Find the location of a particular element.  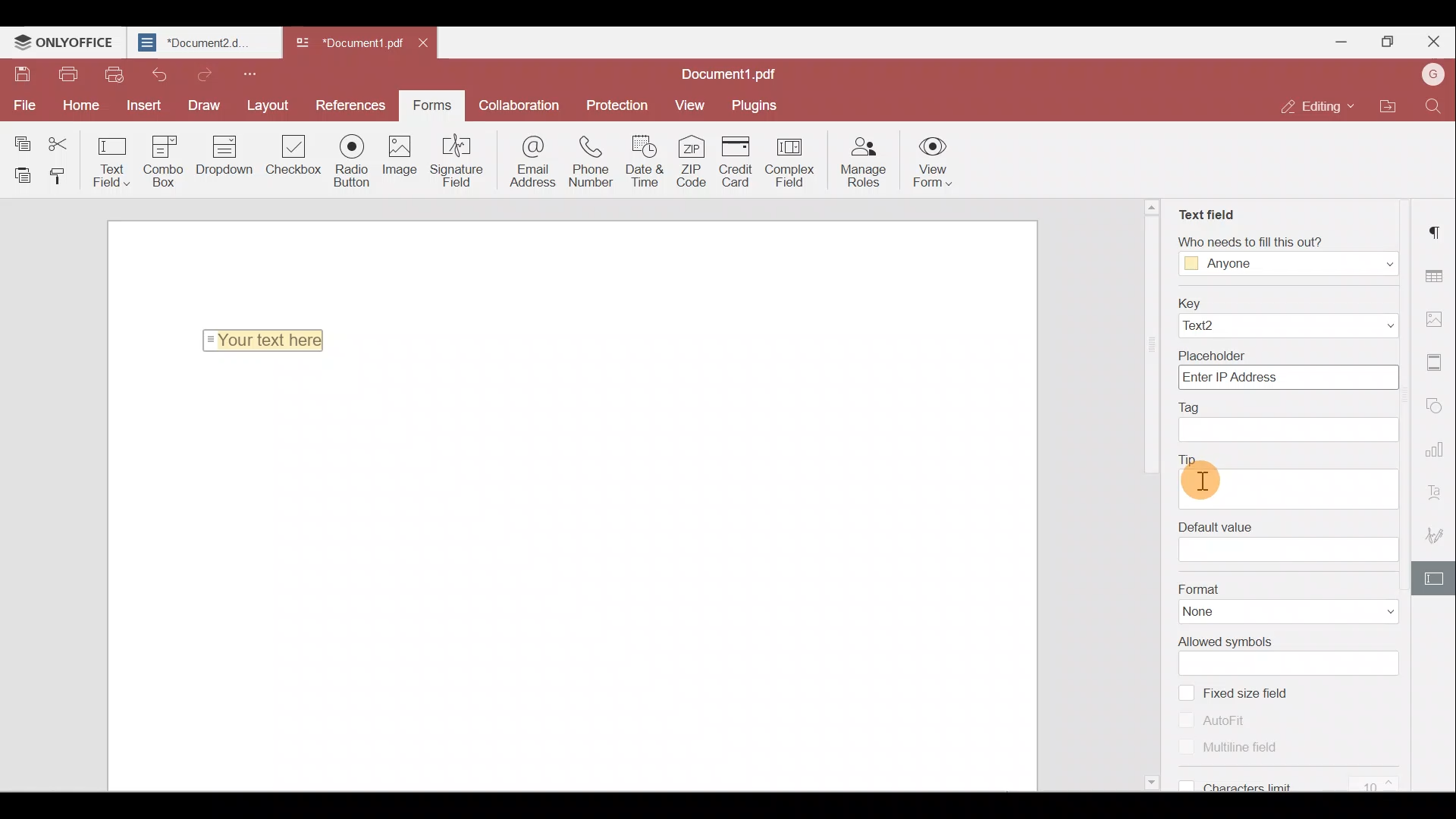

View form is located at coordinates (936, 165).